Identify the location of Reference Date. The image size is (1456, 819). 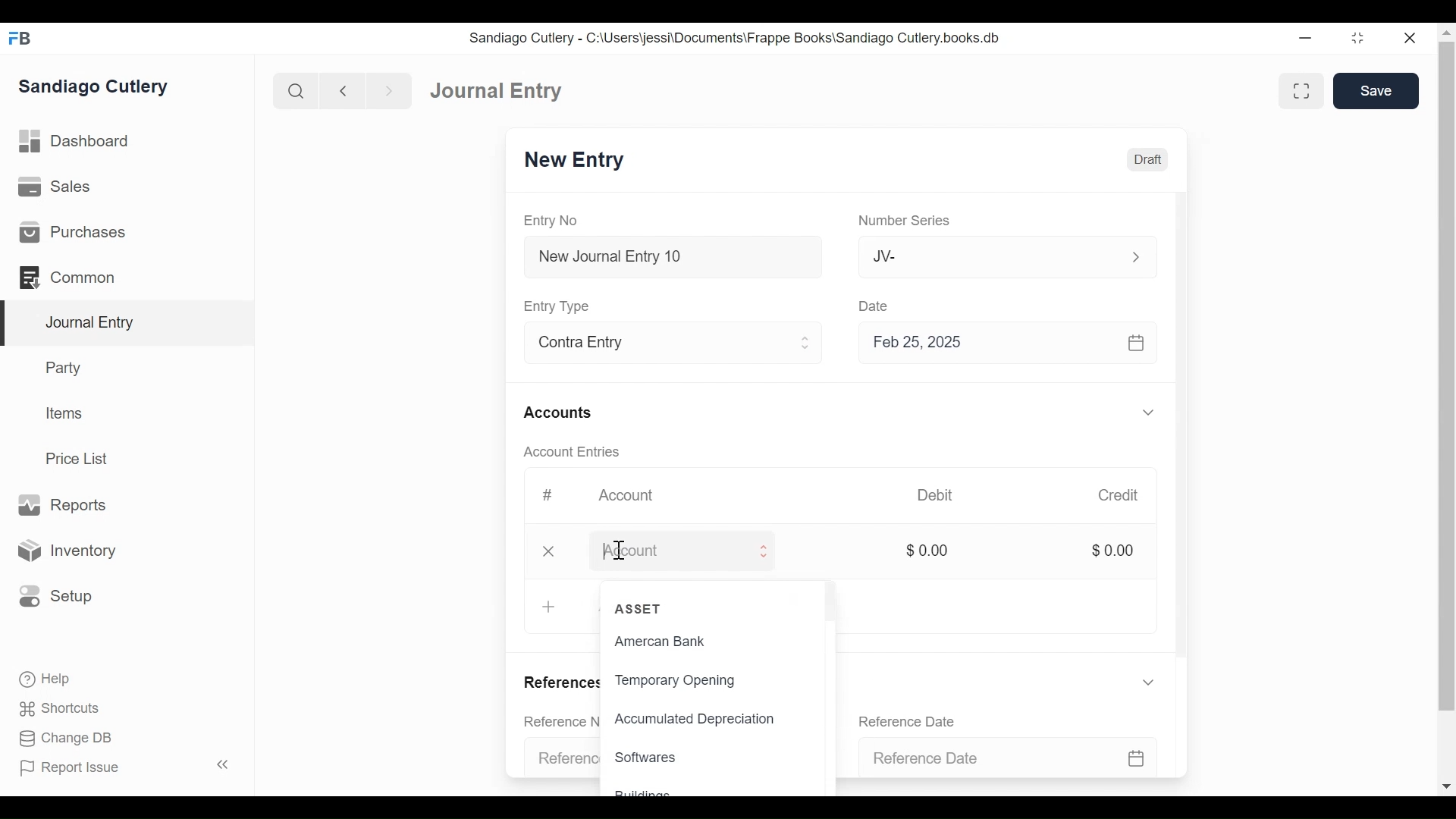
(915, 720).